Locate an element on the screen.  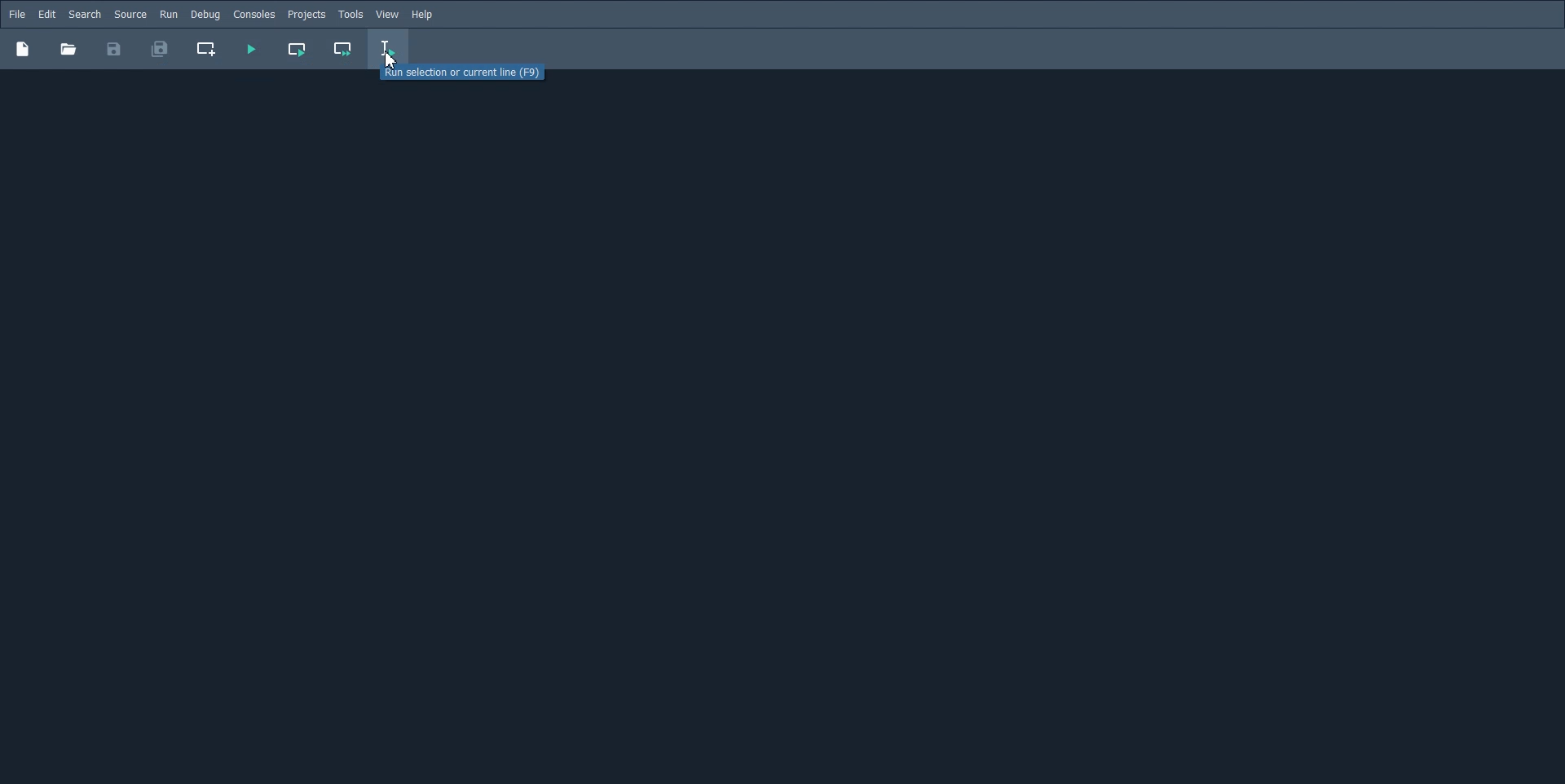
Save All File is located at coordinates (158, 49).